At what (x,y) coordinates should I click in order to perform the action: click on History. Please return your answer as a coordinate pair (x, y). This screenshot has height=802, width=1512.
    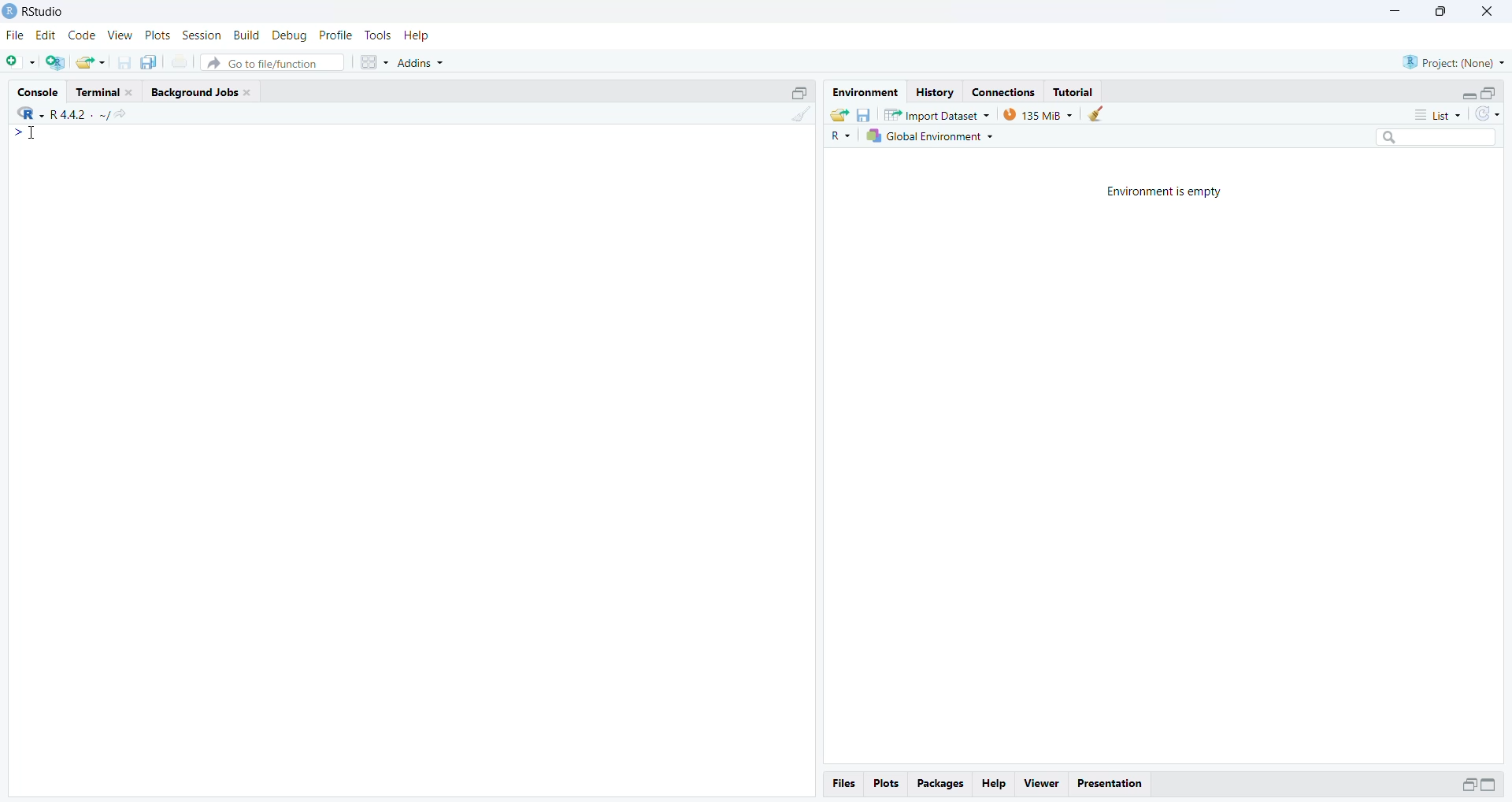
    Looking at the image, I should click on (933, 91).